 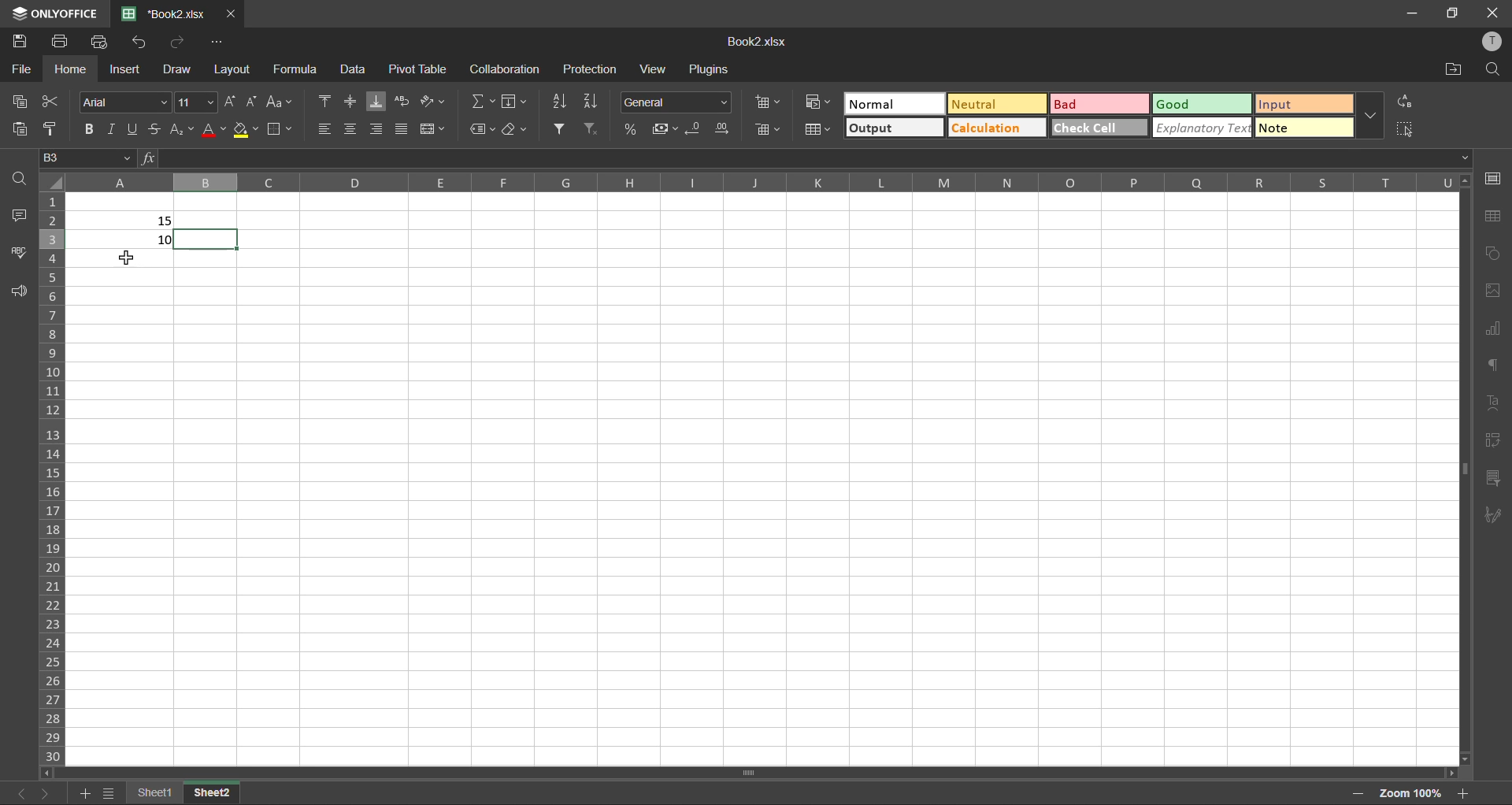 I want to click on collaboration, so click(x=503, y=70).